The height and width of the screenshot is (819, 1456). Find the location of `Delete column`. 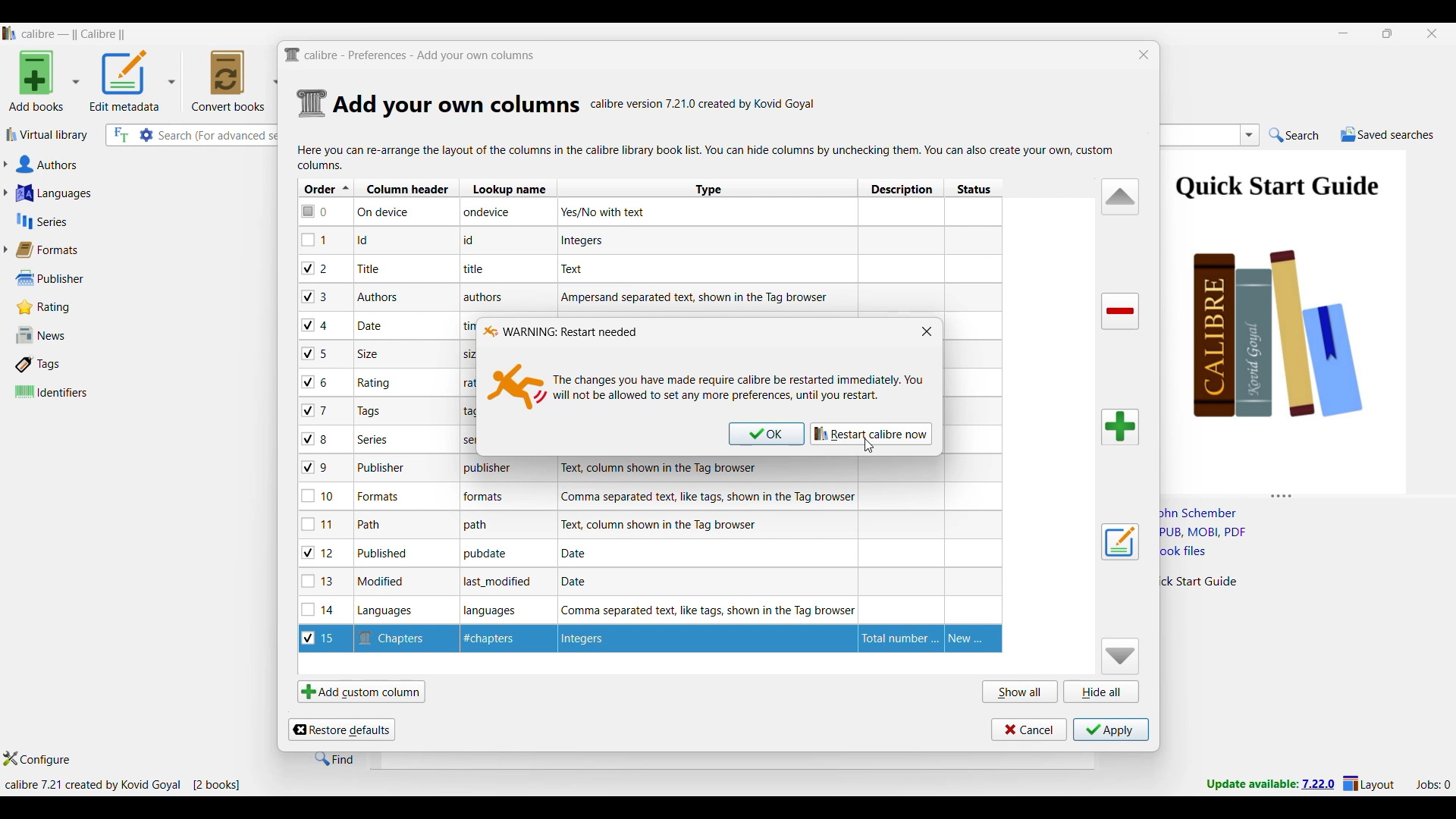

Delete column is located at coordinates (1121, 312).